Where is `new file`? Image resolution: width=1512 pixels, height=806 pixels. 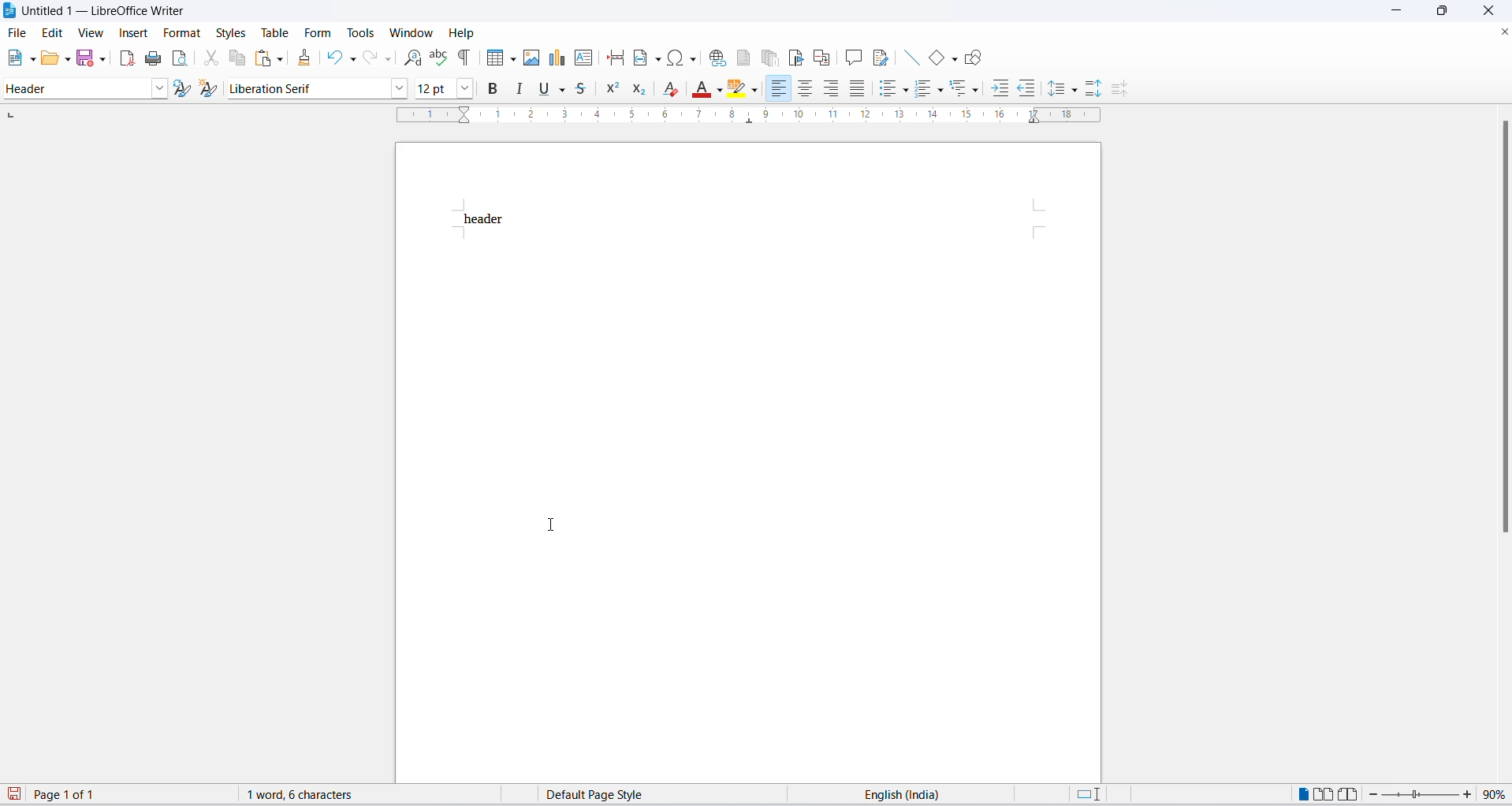 new file is located at coordinates (15, 58).